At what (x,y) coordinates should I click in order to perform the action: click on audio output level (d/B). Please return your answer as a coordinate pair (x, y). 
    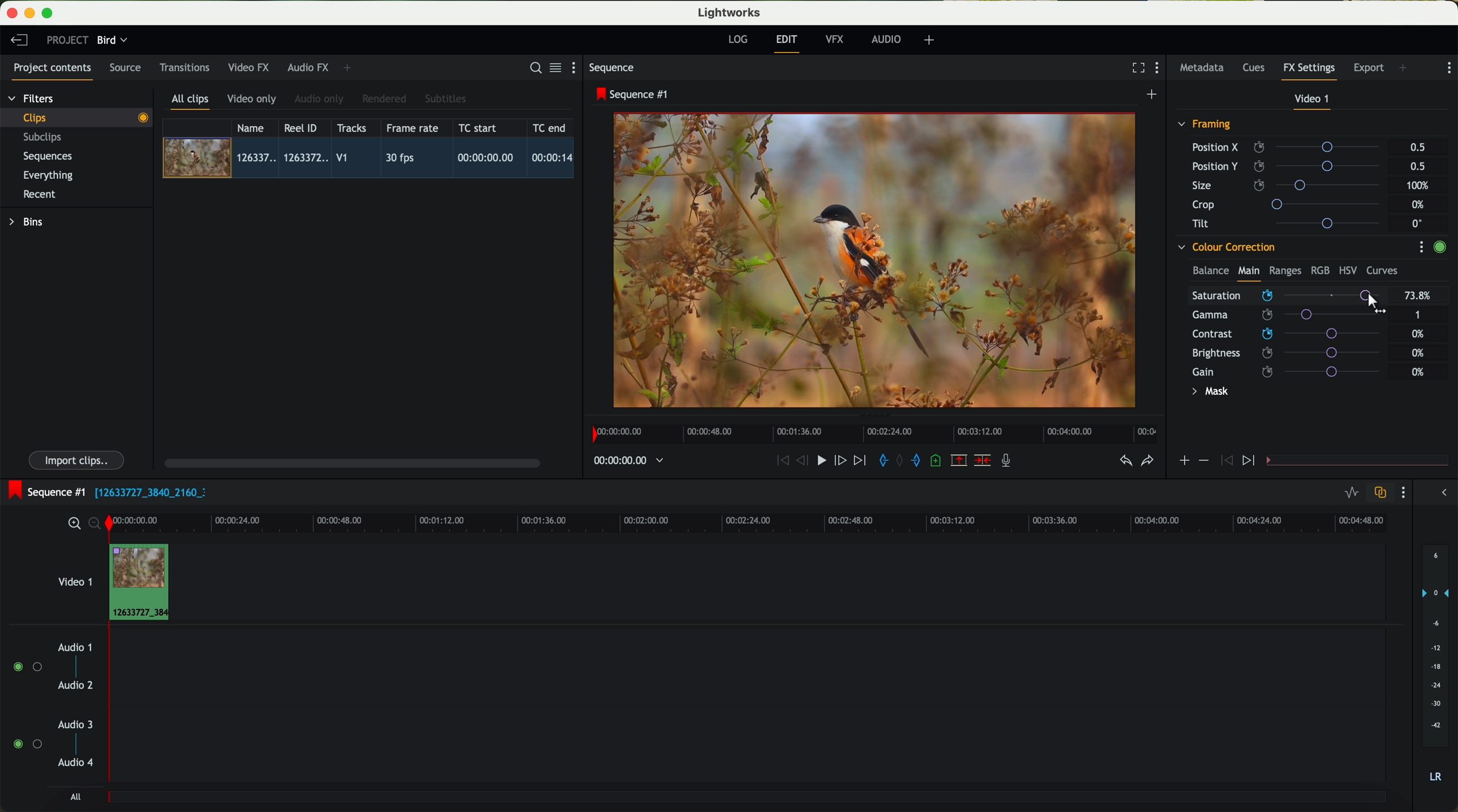
    Looking at the image, I should click on (1436, 667).